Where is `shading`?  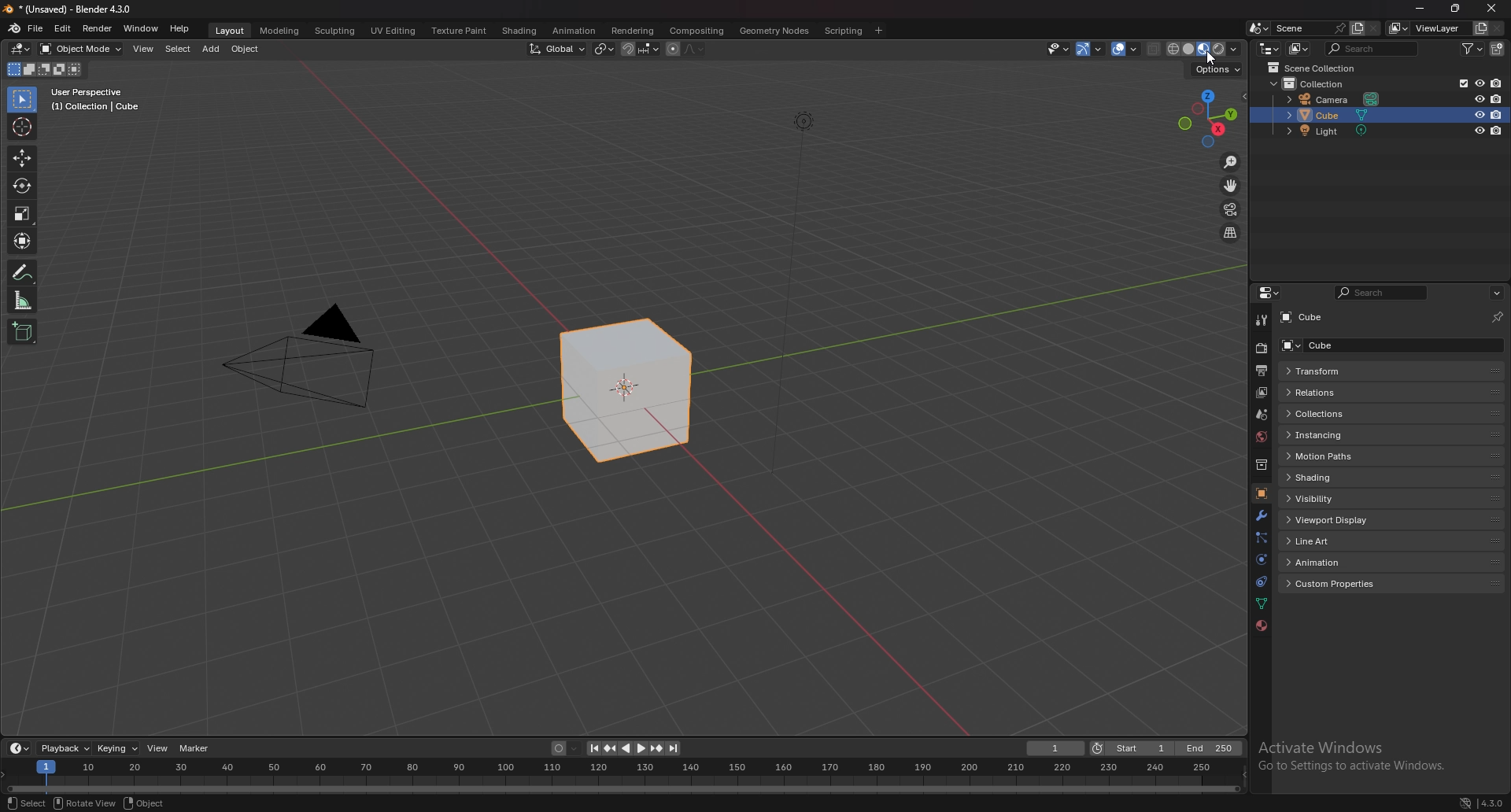
shading is located at coordinates (1357, 477).